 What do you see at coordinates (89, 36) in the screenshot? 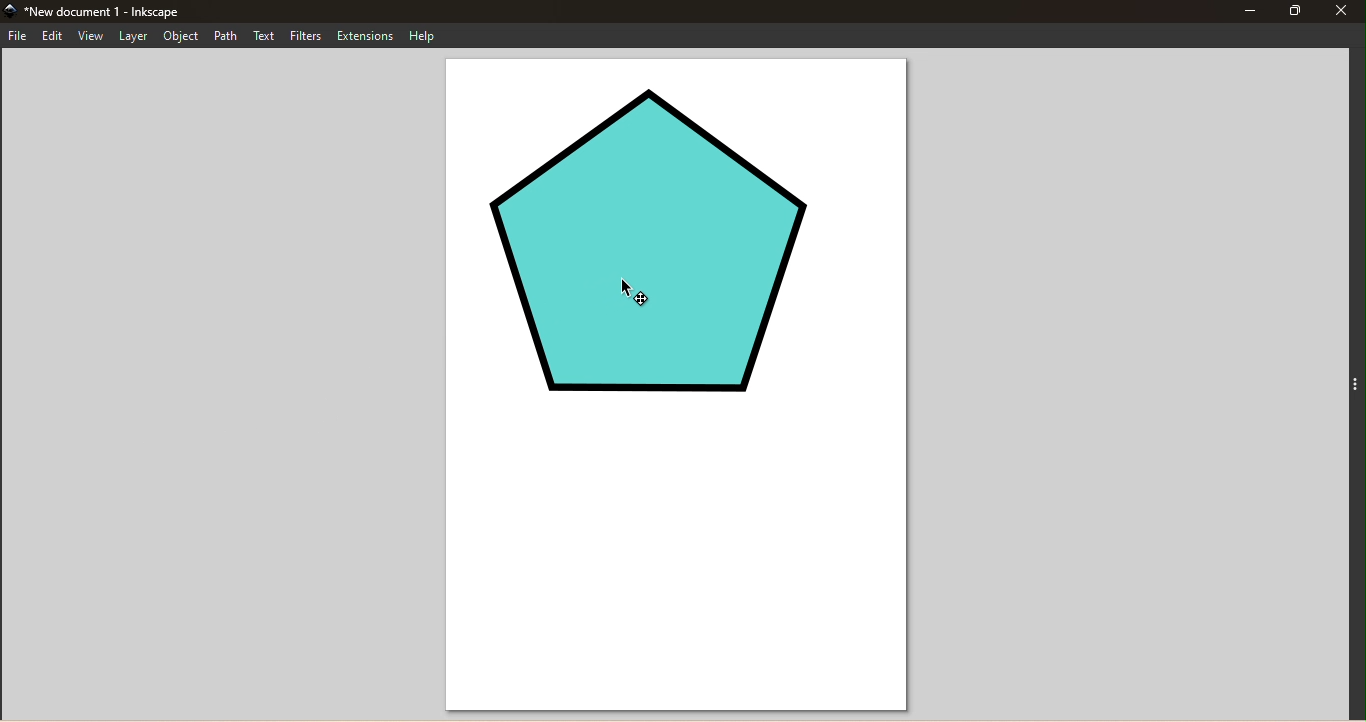
I see `View` at bounding box center [89, 36].